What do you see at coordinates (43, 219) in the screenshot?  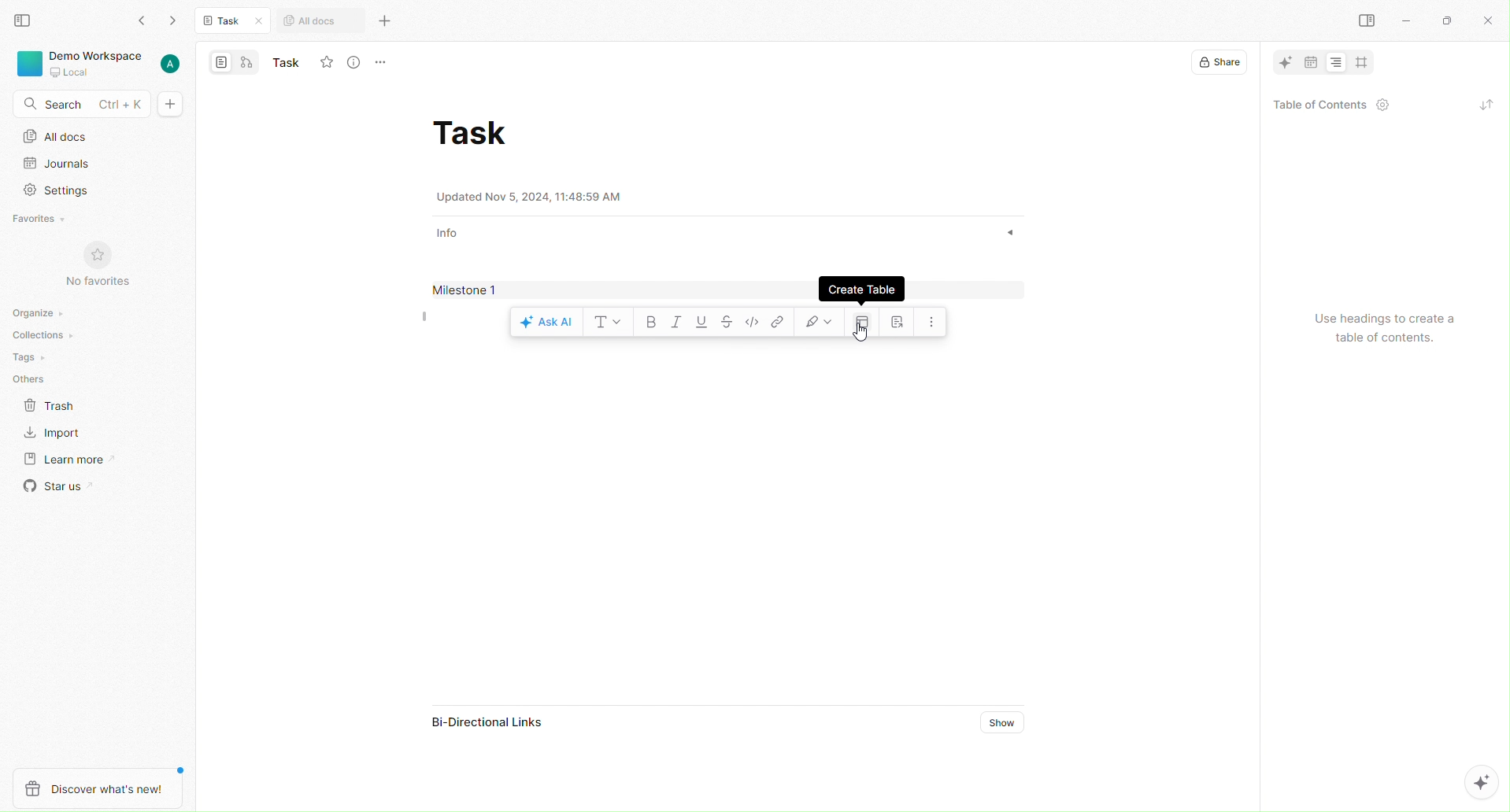 I see `Favorites` at bounding box center [43, 219].